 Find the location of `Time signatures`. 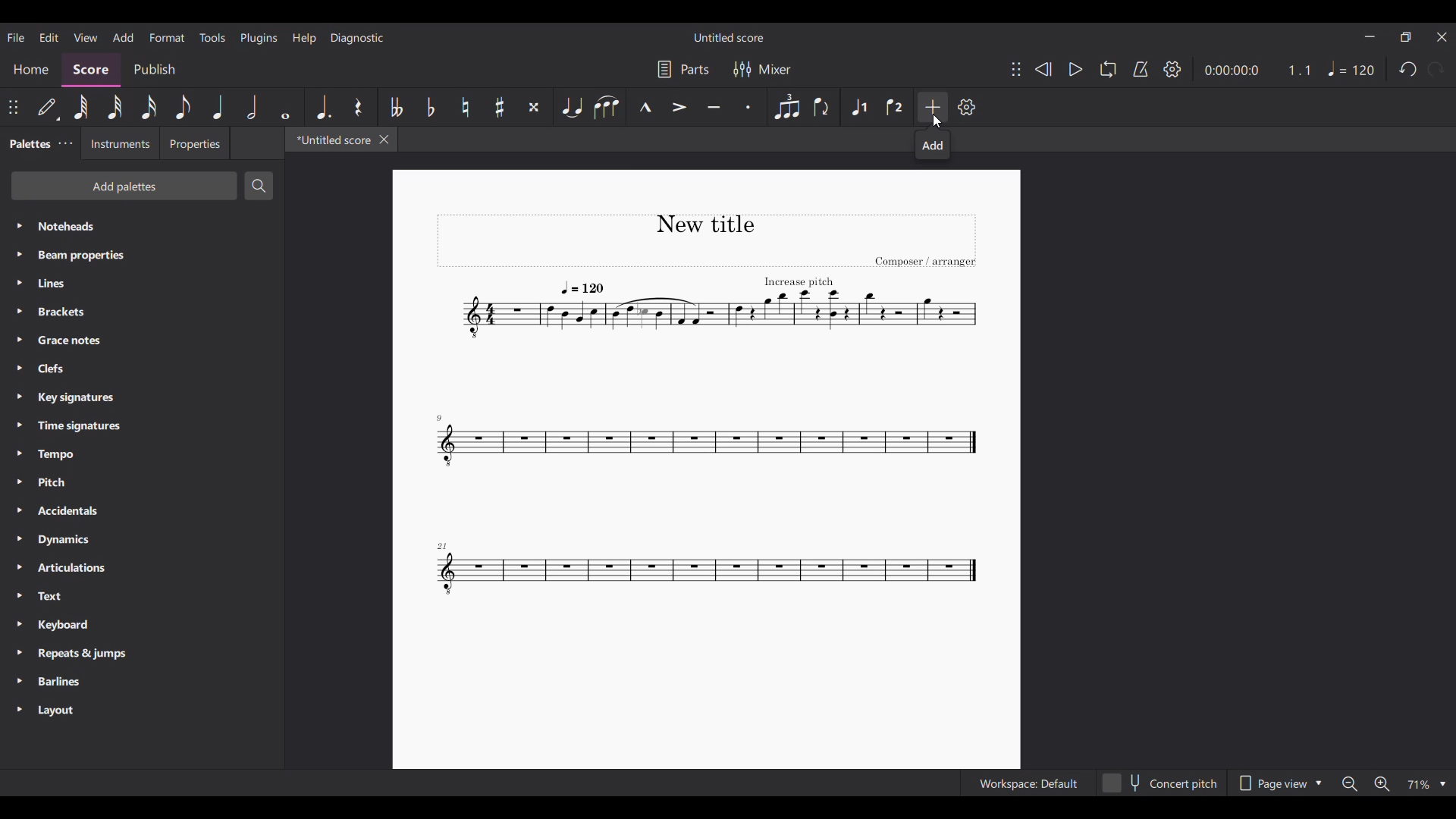

Time signatures is located at coordinates (142, 426).